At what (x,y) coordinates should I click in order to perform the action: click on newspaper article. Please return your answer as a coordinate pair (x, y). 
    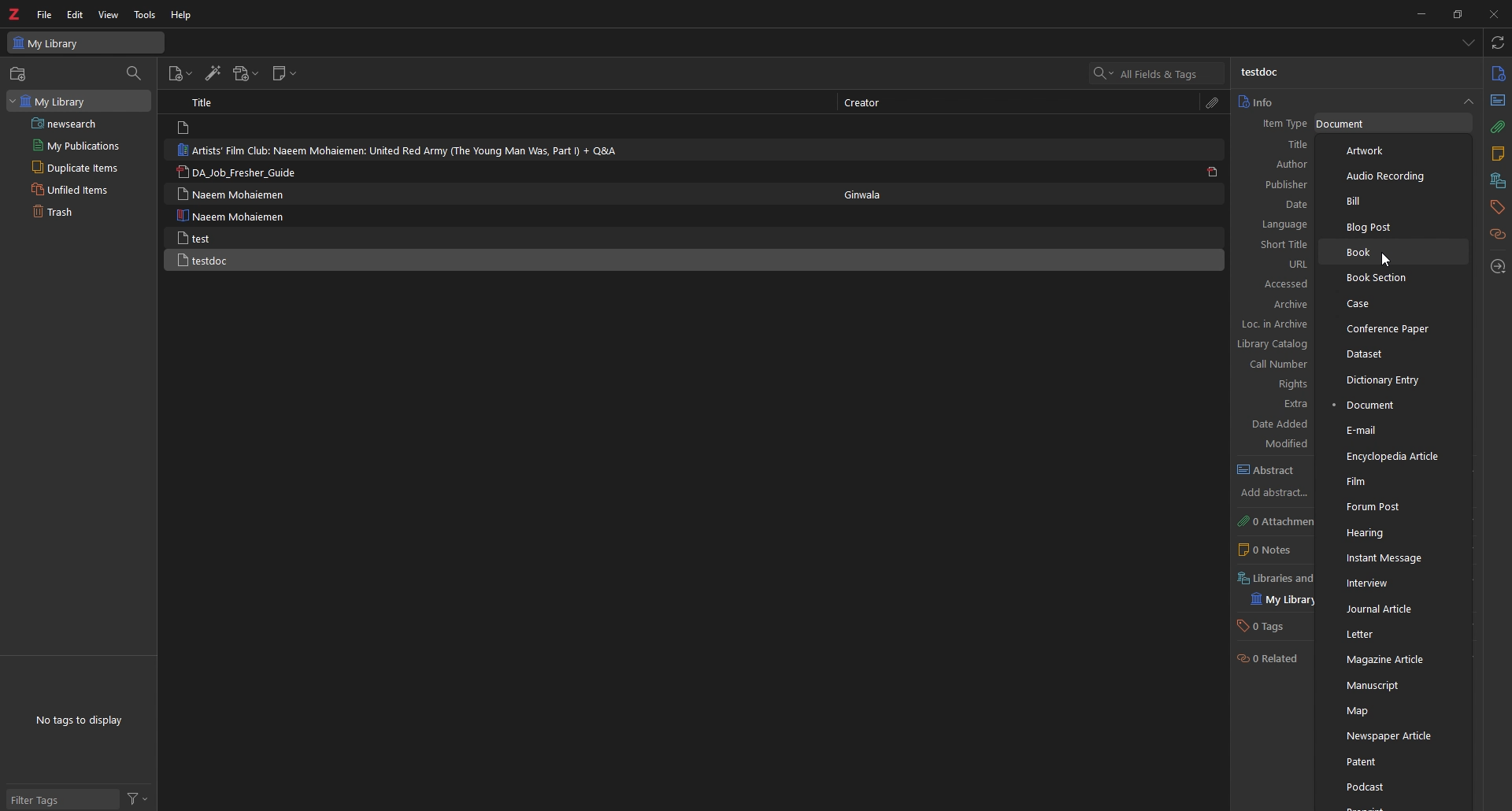
    Looking at the image, I should click on (1393, 735).